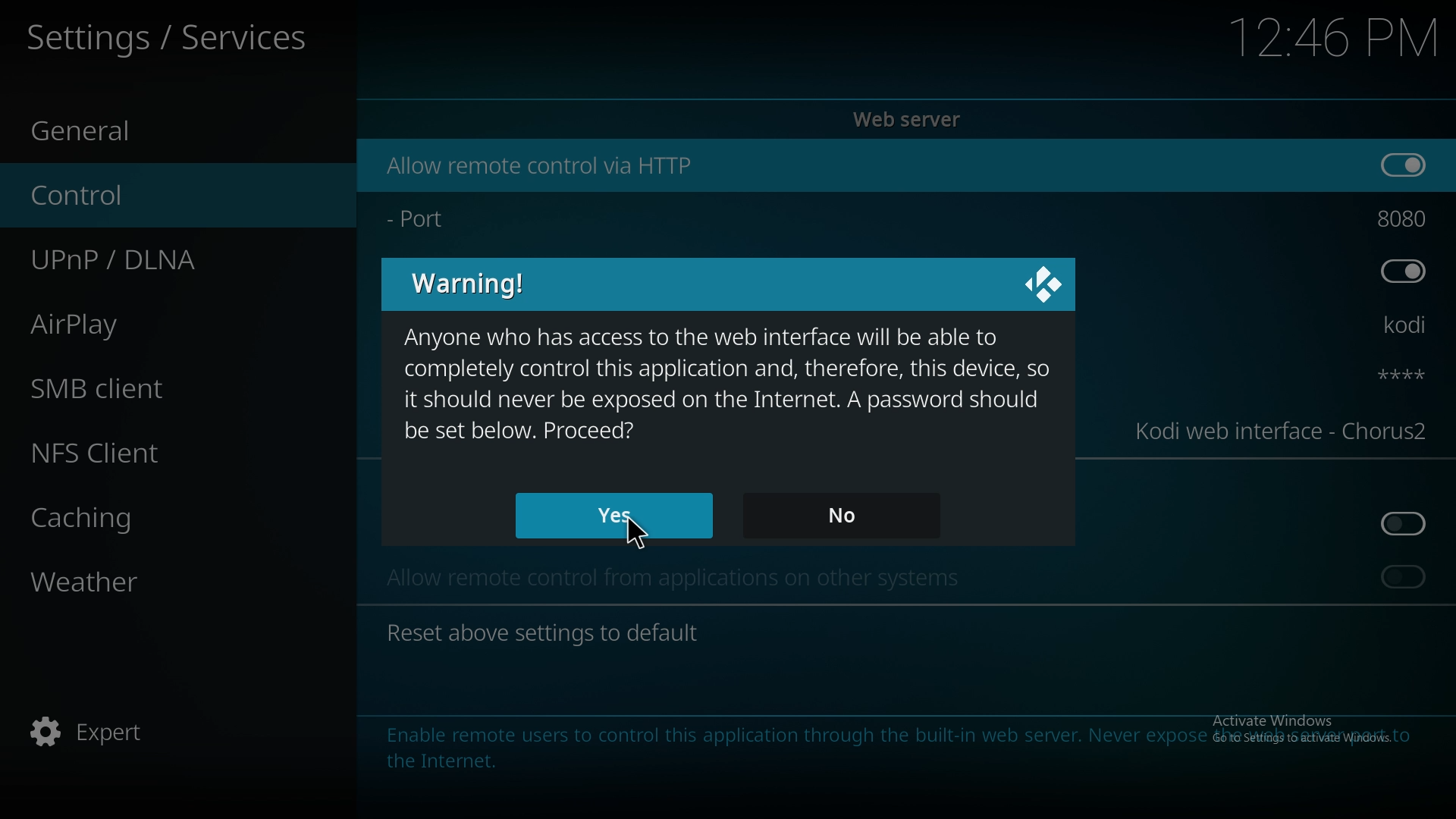 This screenshot has width=1456, height=819. Describe the element at coordinates (1403, 269) in the screenshot. I see `off` at that location.